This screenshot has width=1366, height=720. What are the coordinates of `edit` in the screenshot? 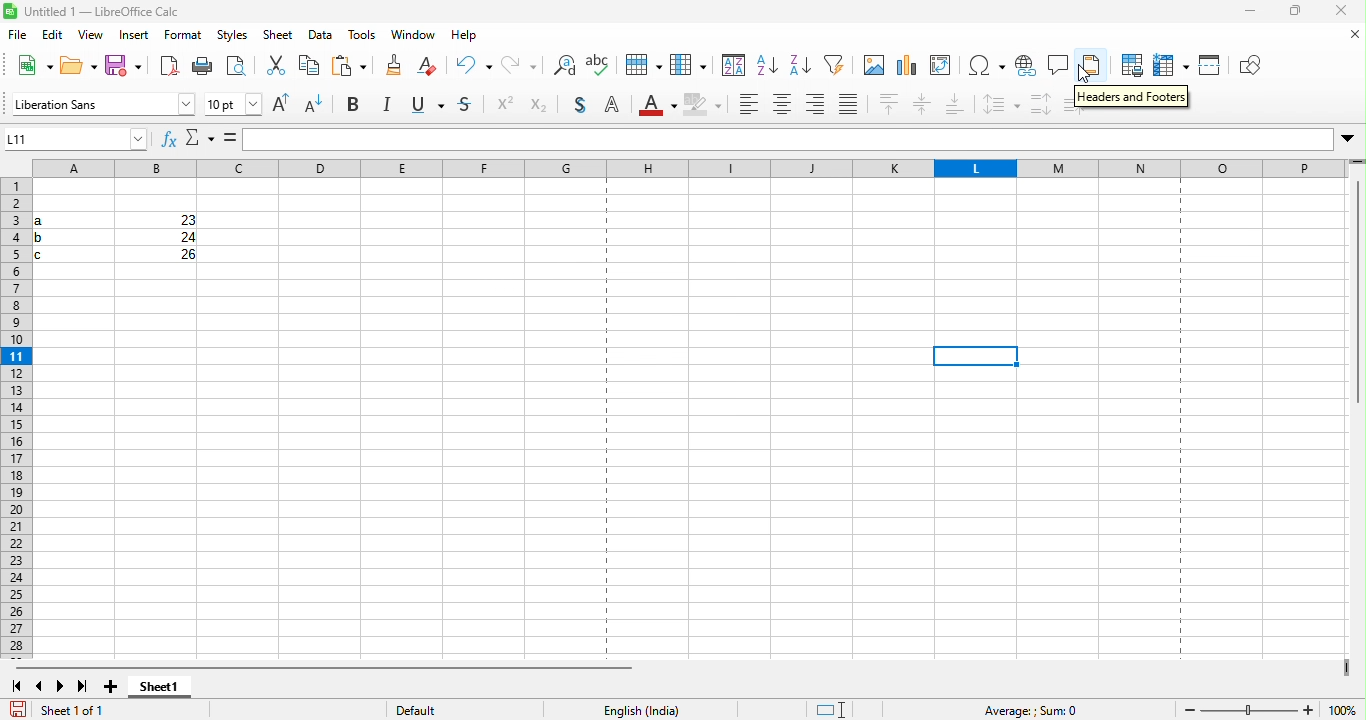 It's located at (54, 37).